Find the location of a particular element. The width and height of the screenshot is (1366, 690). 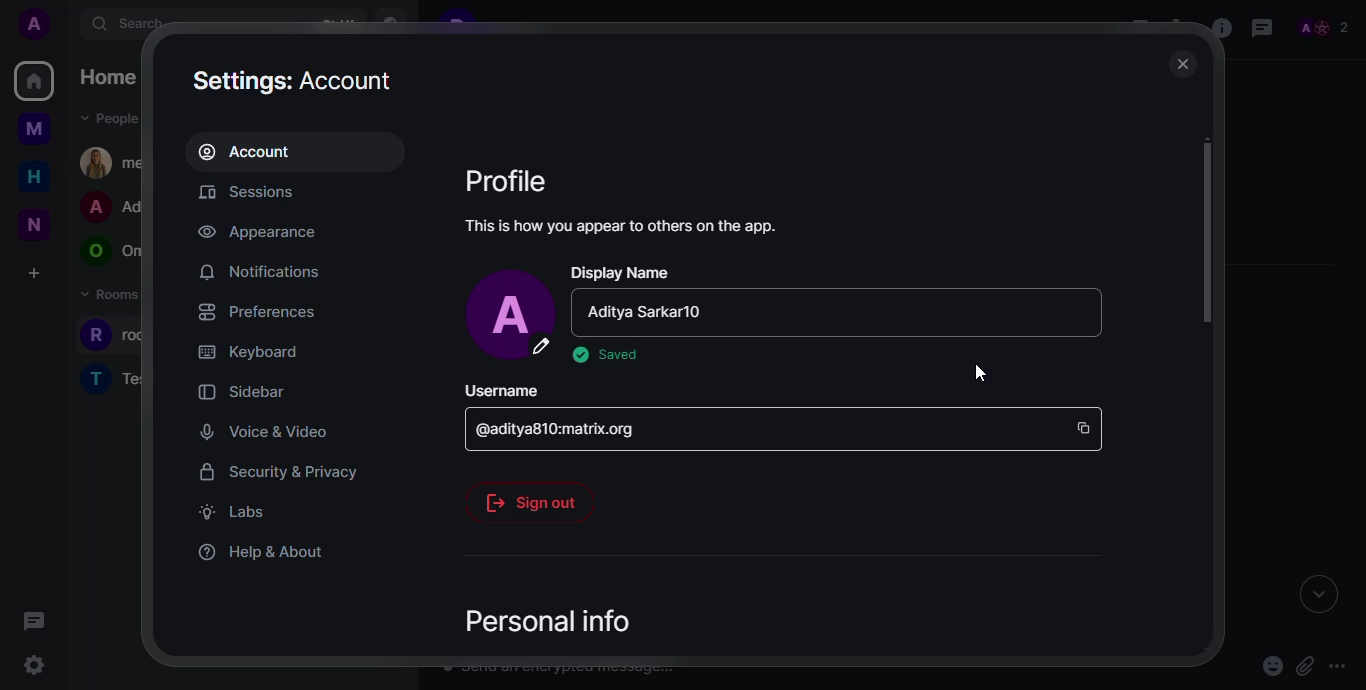

copy is located at coordinates (1085, 420).